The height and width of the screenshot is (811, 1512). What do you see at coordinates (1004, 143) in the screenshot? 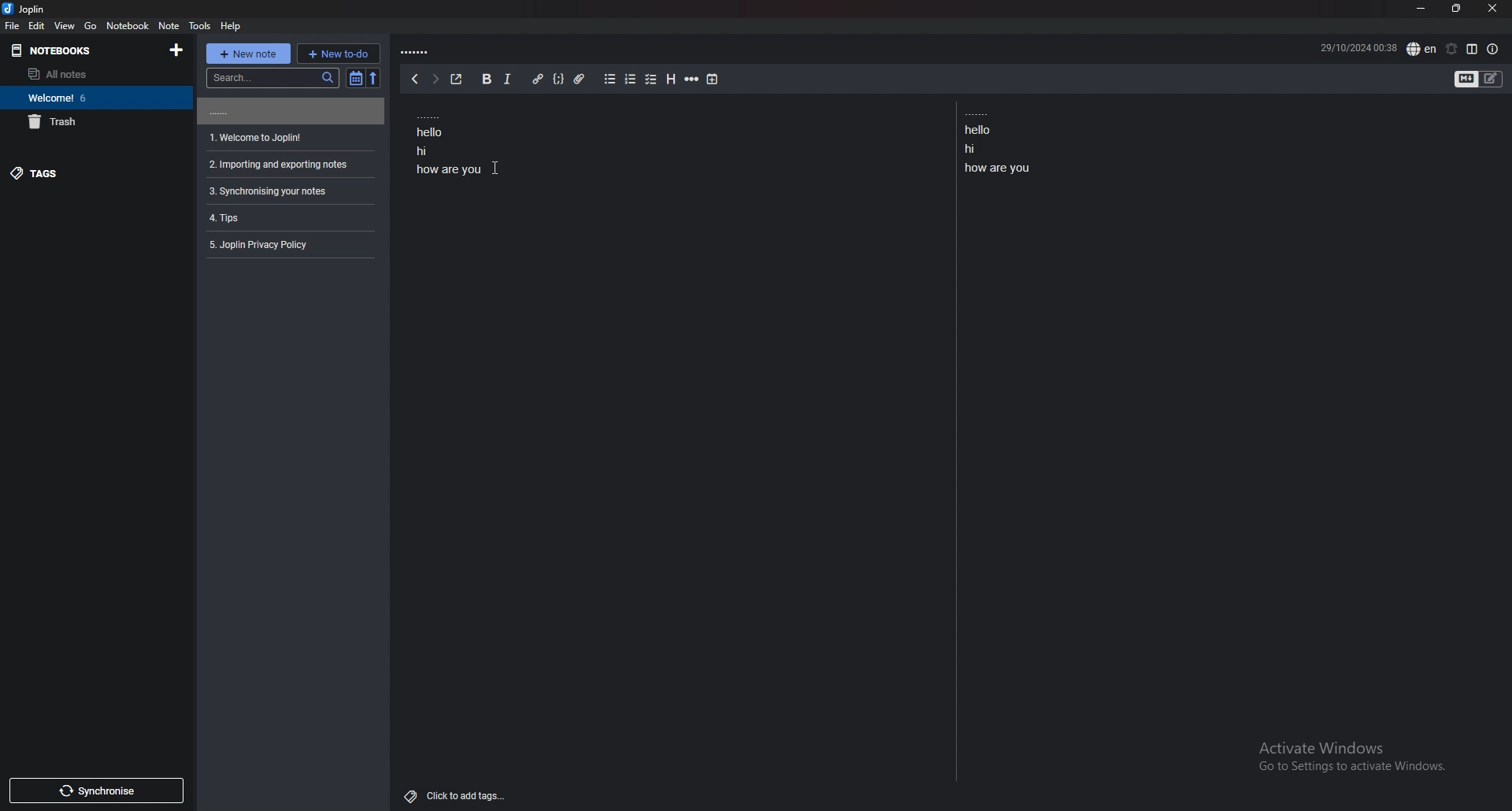
I see `note text` at bounding box center [1004, 143].